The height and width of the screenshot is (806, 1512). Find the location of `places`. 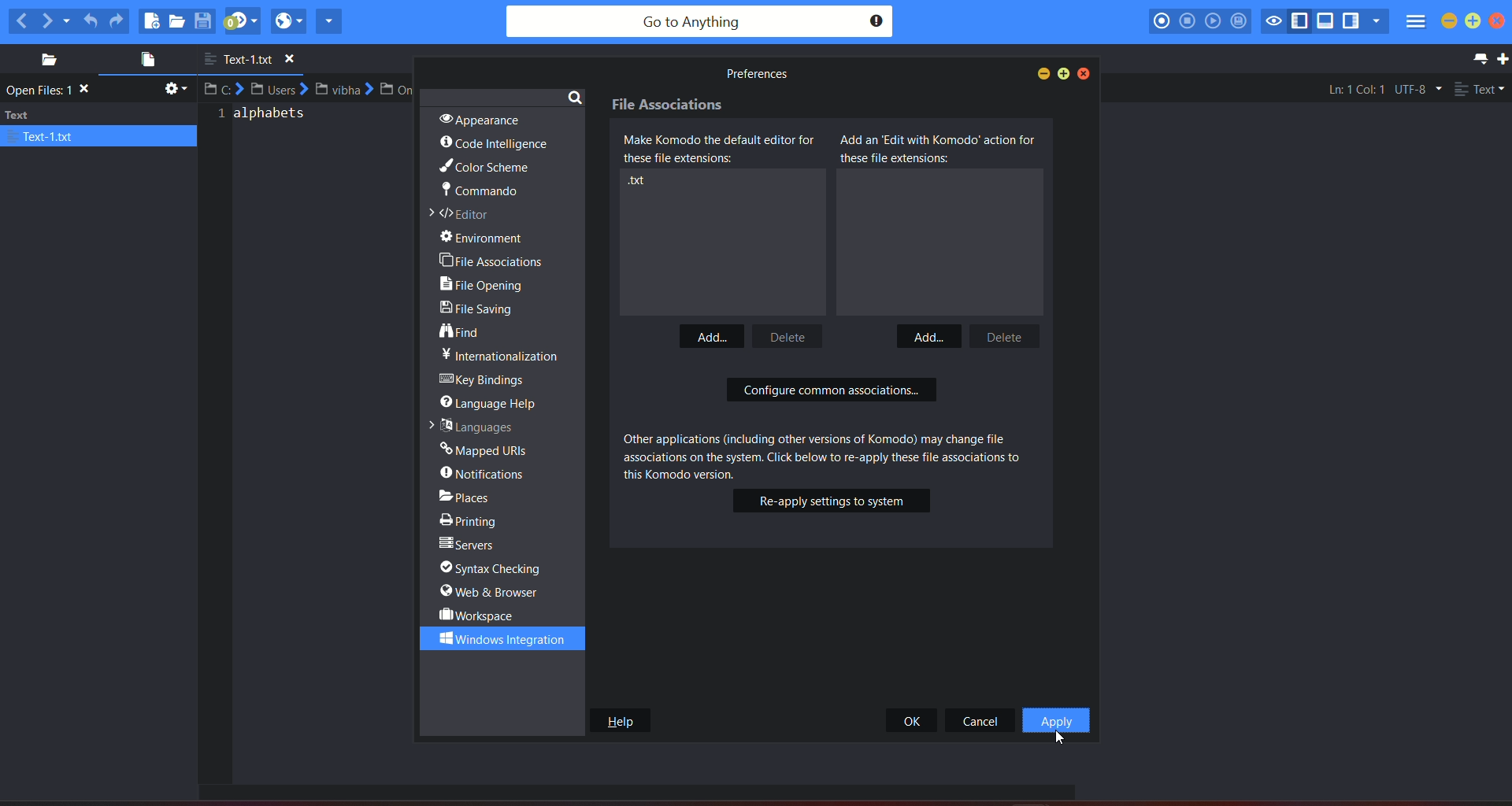

places is located at coordinates (478, 495).